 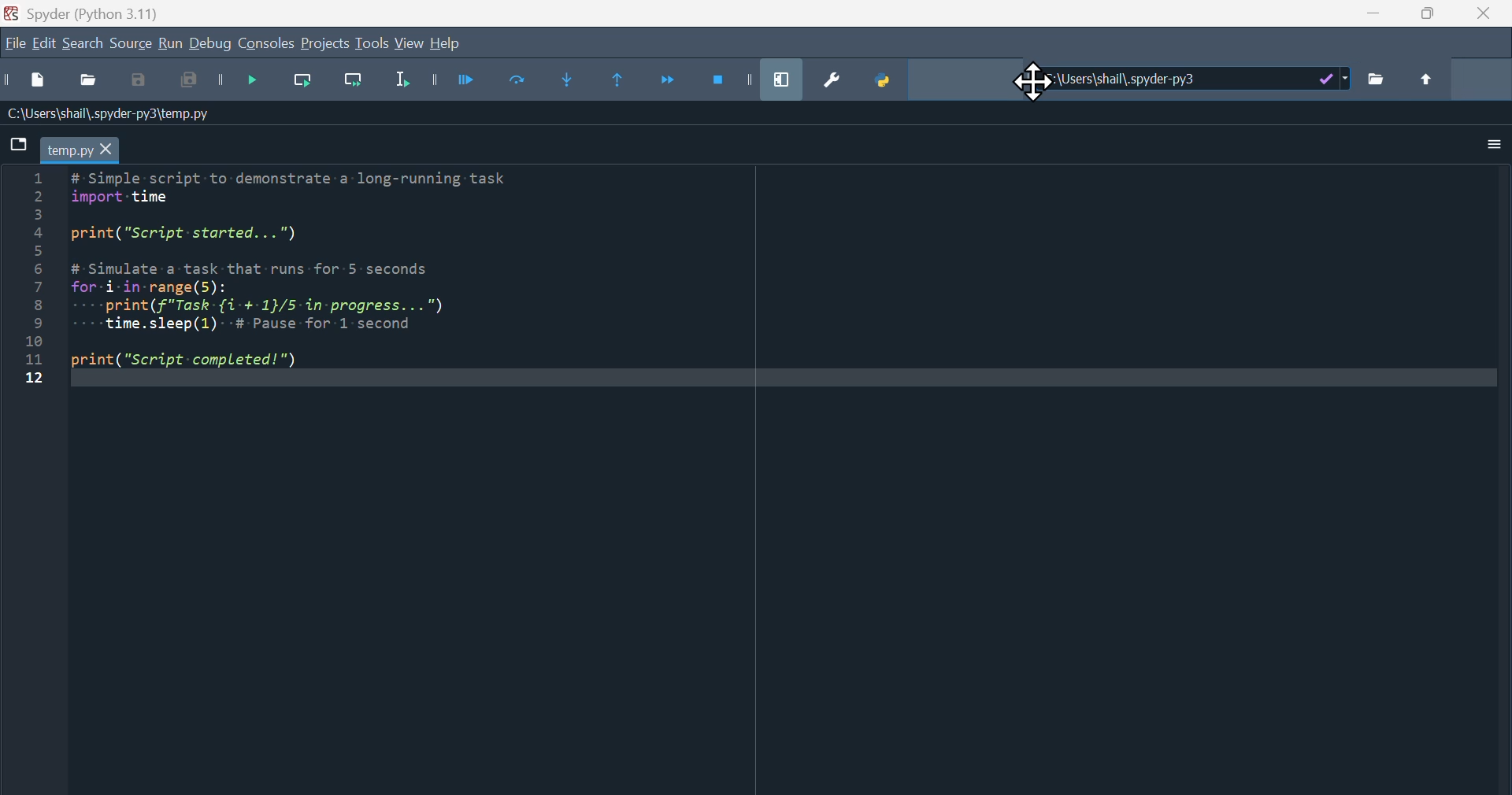 What do you see at coordinates (1188, 85) in the screenshot?
I see `Plugins` at bounding box center [1188, 85].